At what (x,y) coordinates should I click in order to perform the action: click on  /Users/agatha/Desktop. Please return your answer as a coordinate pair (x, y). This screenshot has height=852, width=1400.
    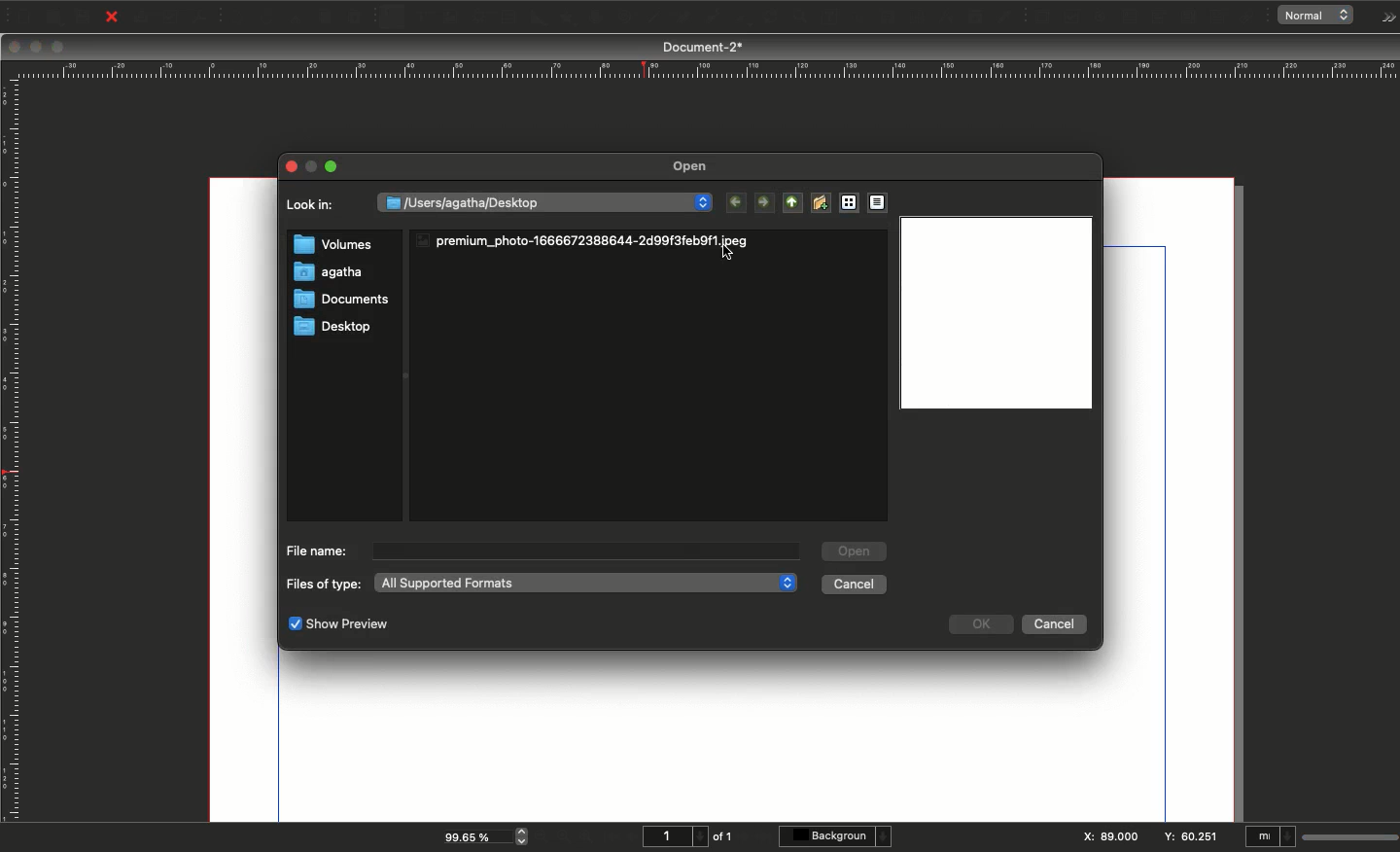
    Looking at the image, I should click on (545, 201).